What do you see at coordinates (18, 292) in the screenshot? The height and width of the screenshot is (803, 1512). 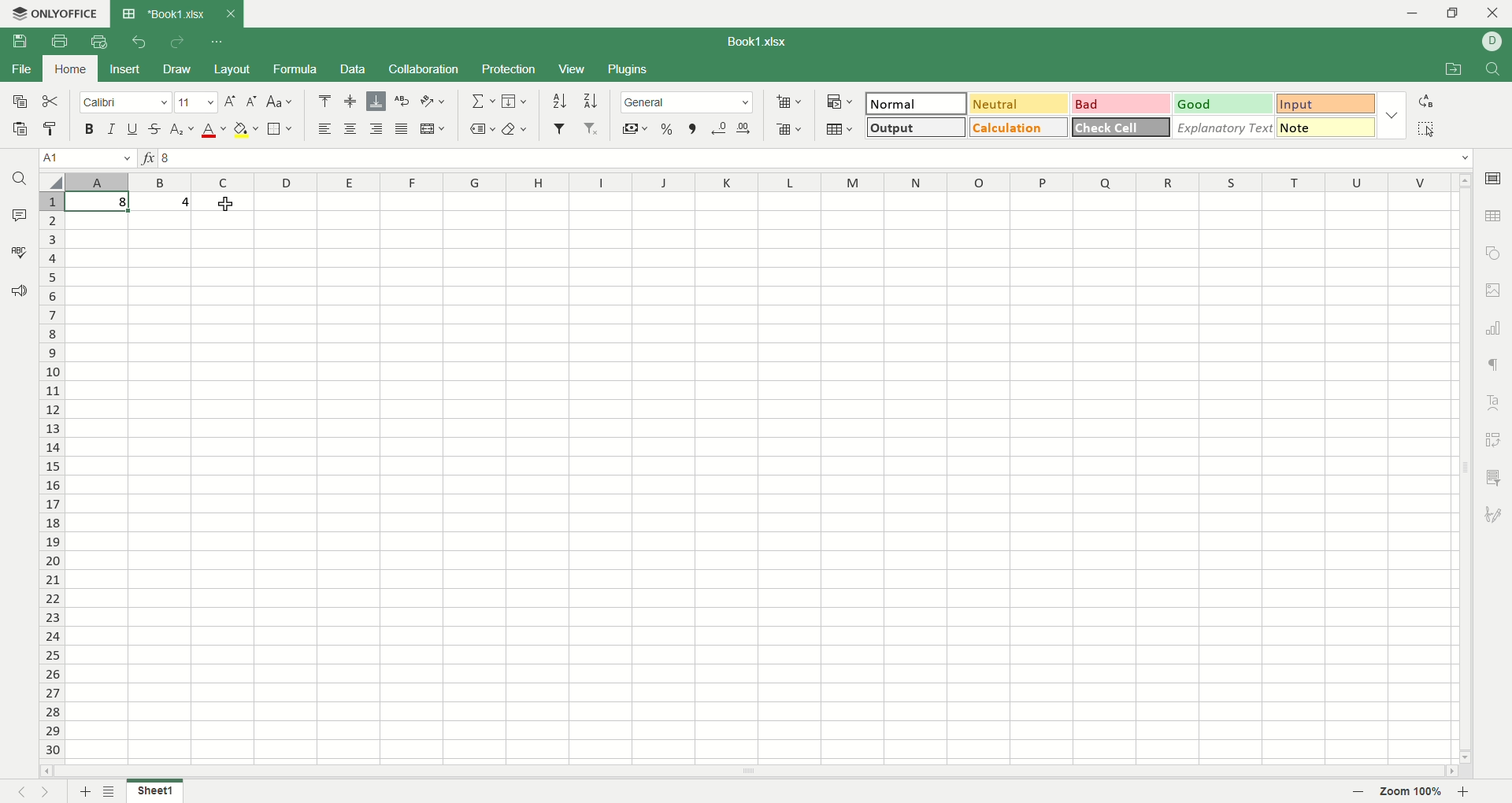 I see `feedback and support` at bounding box center [18, 292].